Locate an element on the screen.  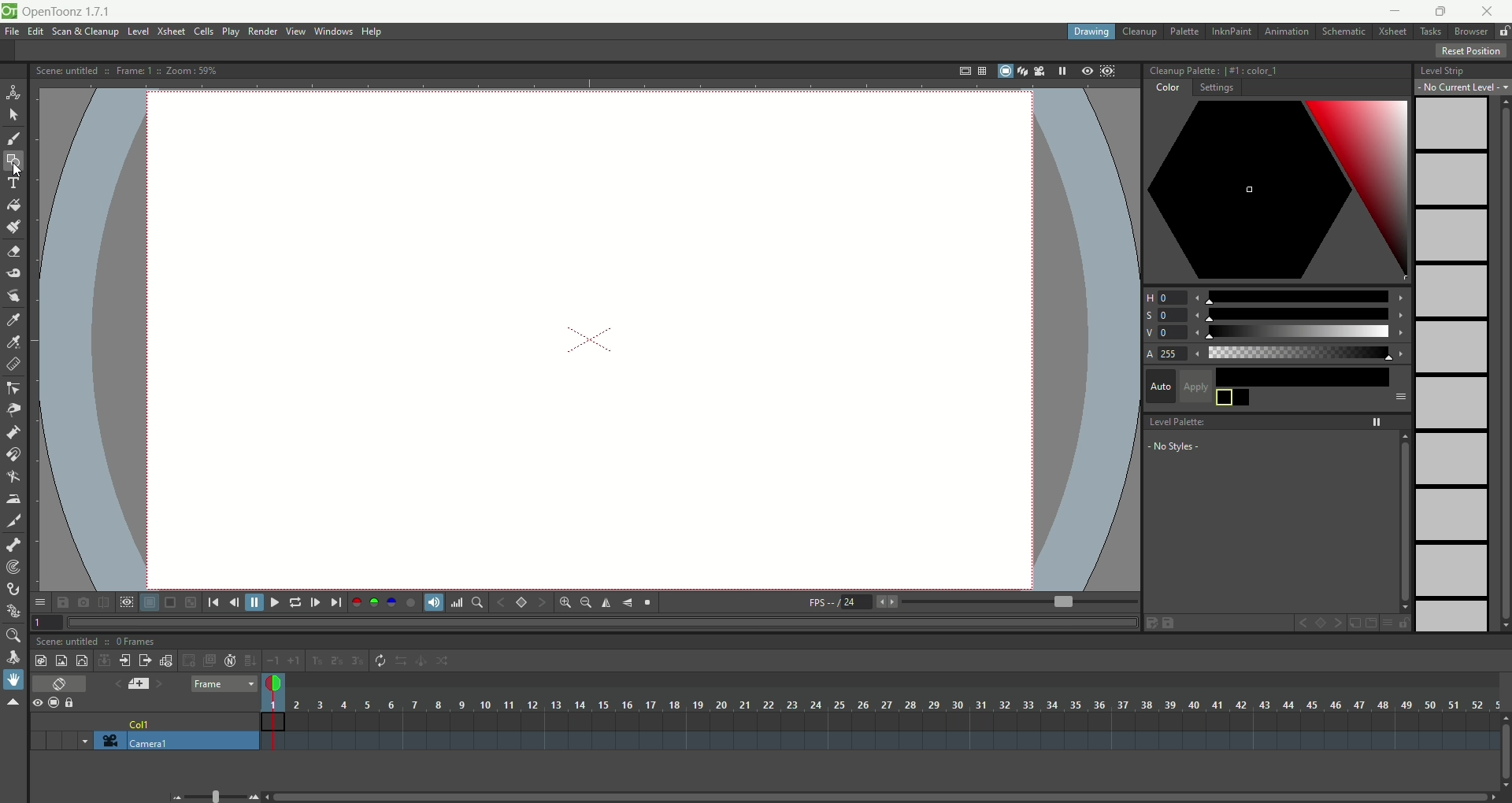
set key is located at coordinates (1322, 624).